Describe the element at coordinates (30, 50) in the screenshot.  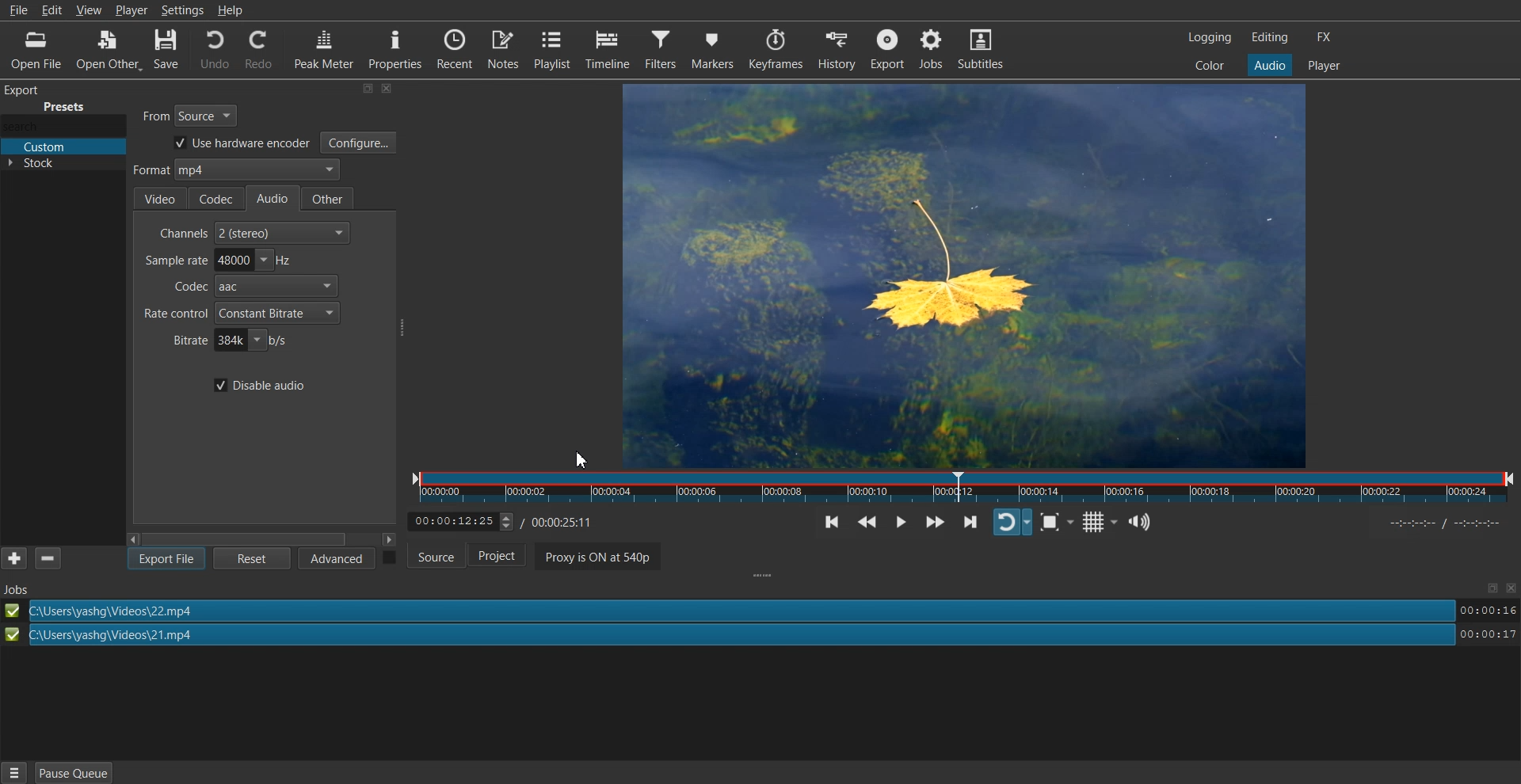
I see `Open File` at that location.